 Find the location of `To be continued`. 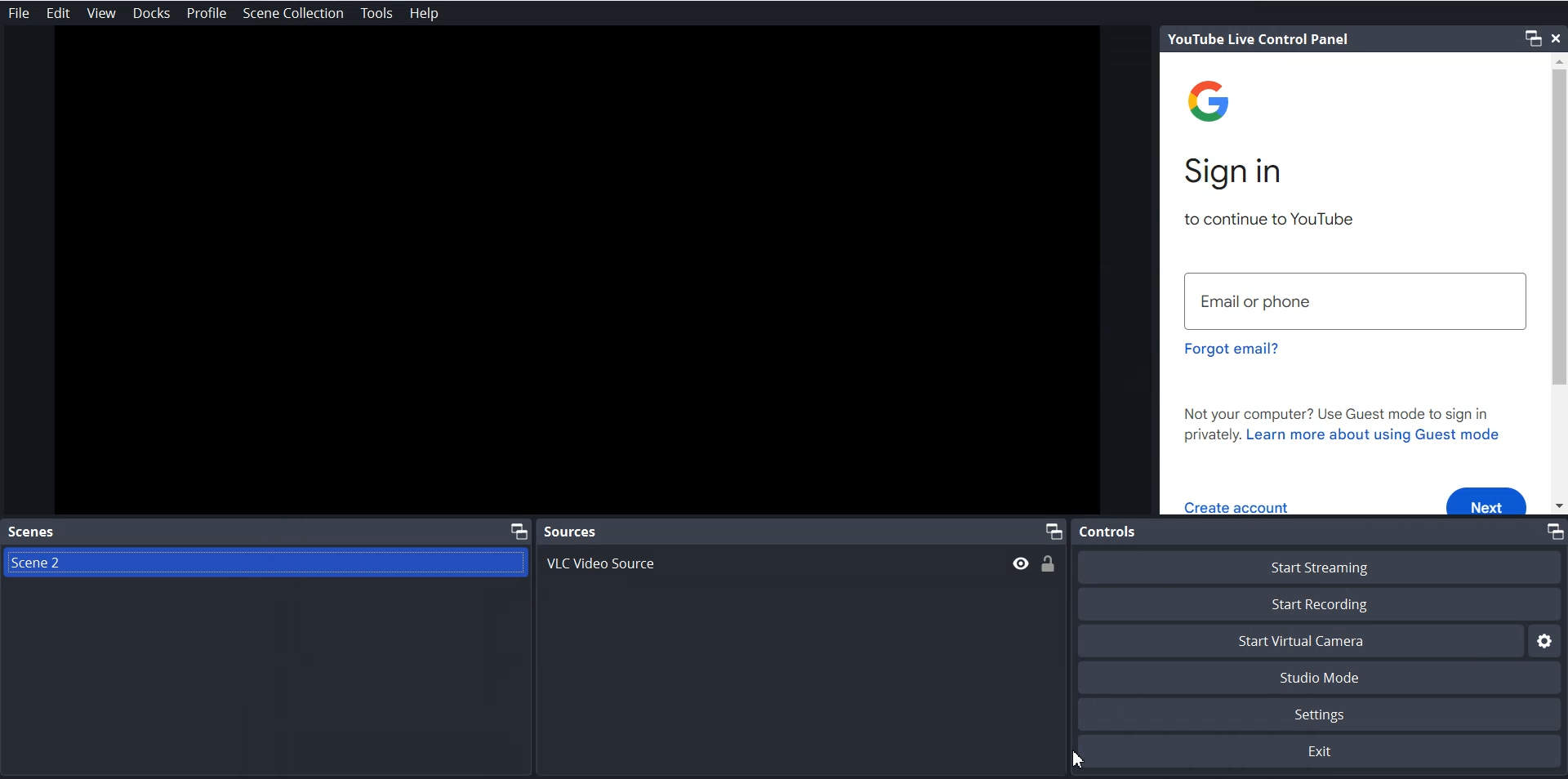

To be continued is located at coordinates (1269, 219).